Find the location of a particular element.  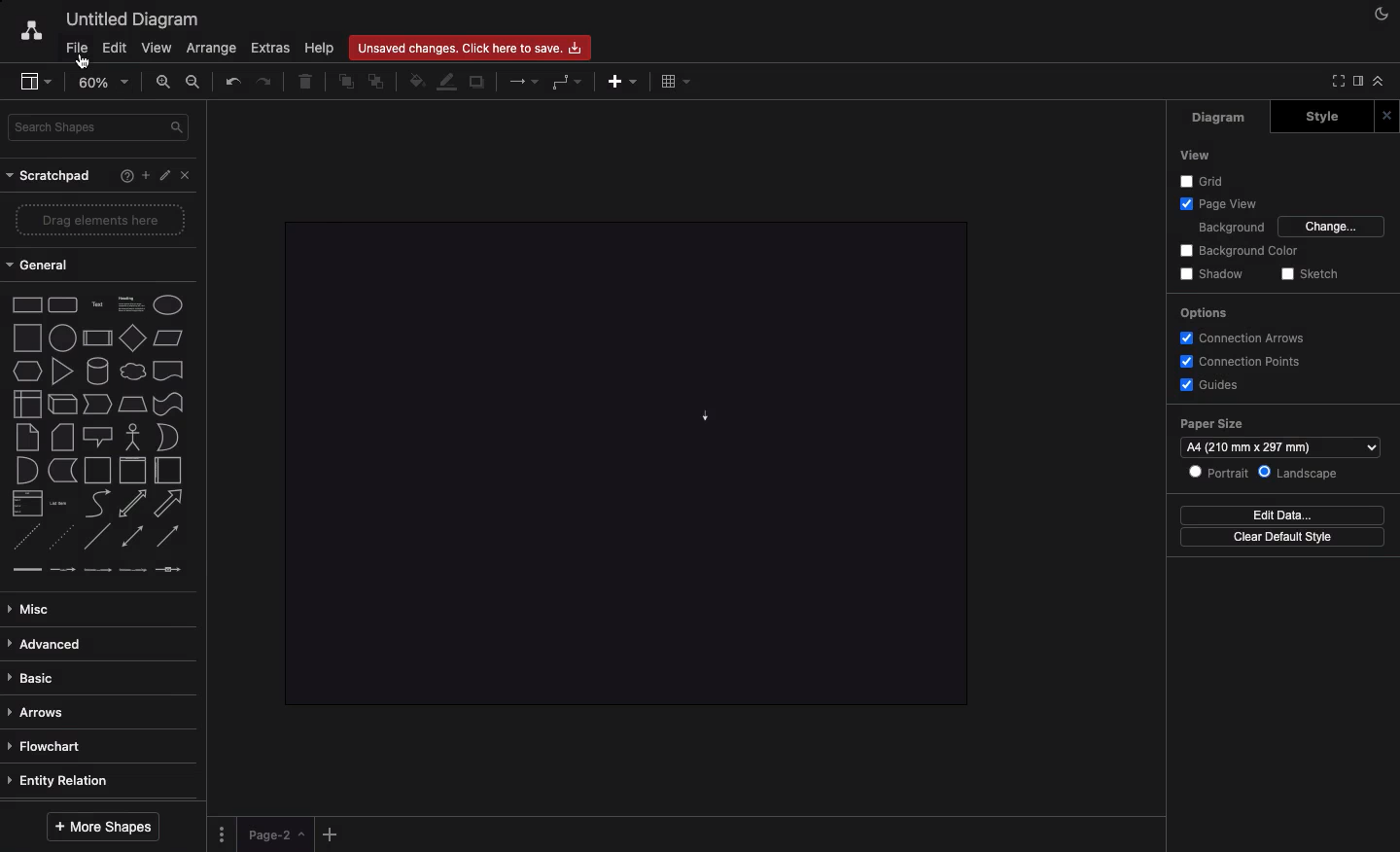

Line fill is located at coordinates (448, 83).